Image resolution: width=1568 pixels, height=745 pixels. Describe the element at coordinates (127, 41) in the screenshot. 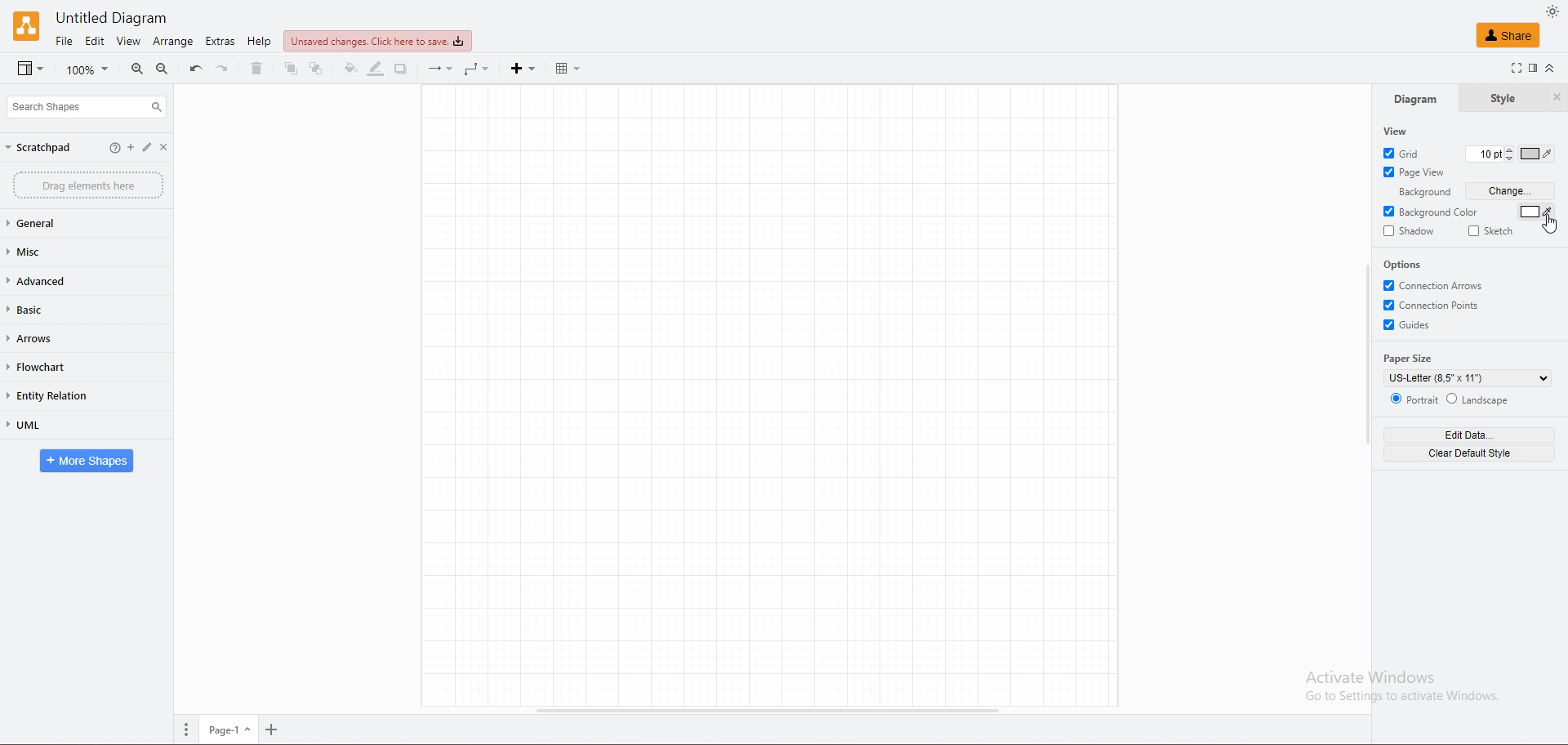

I see `view` at that location.